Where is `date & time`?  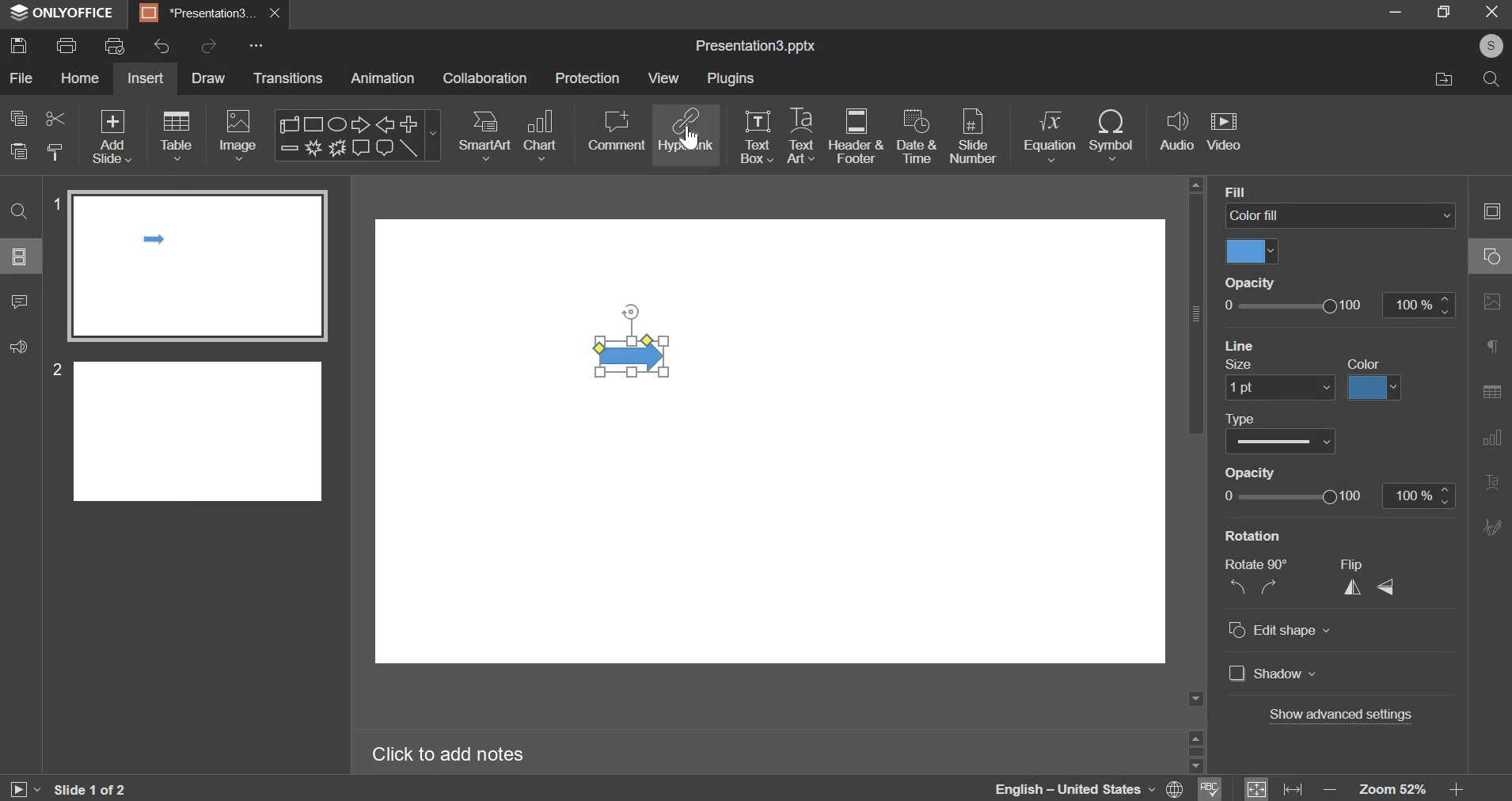 date & time is located at coordinates (917, 135).